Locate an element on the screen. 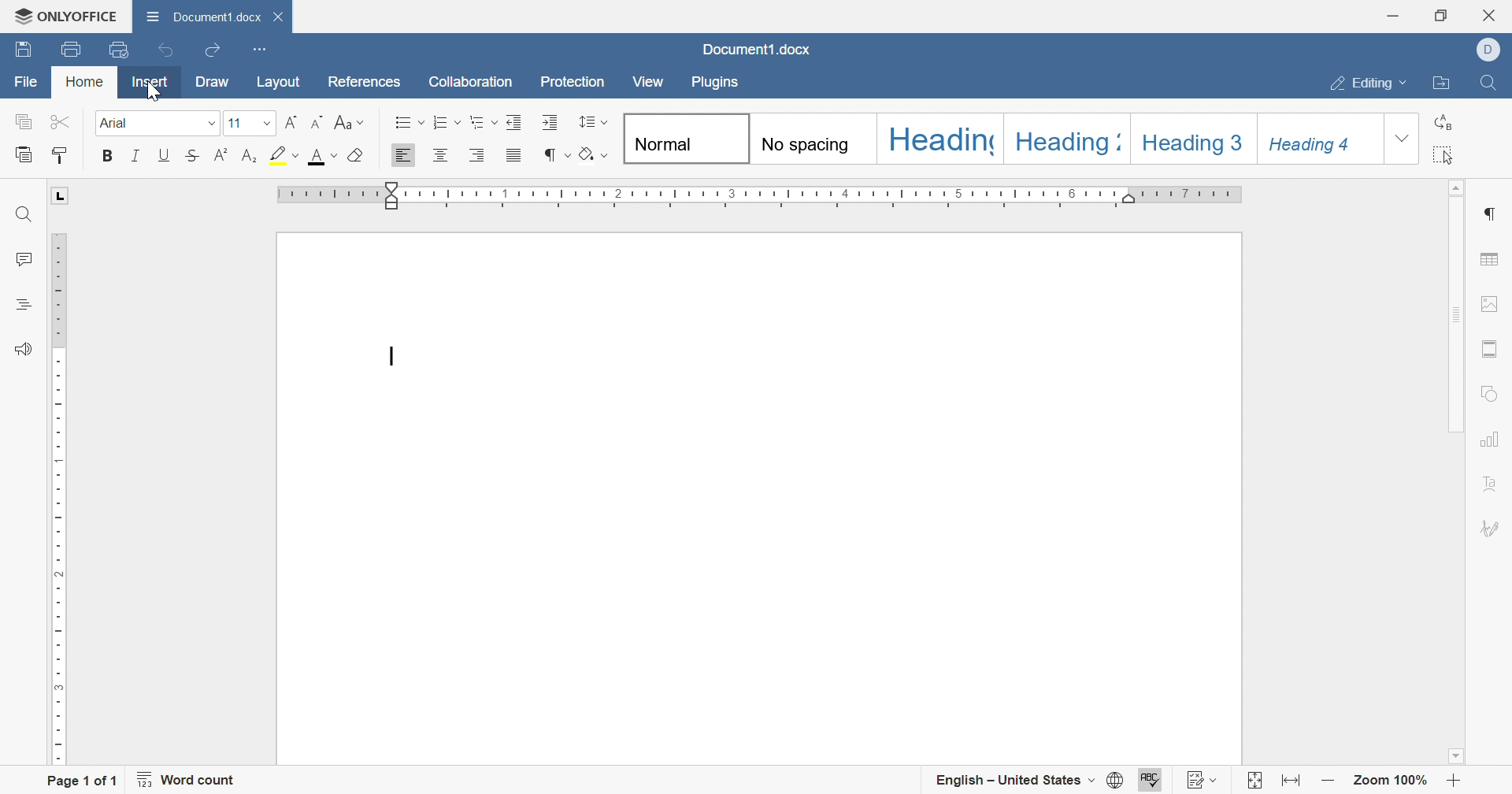  Minimize is located at coordinates (1393, 17).